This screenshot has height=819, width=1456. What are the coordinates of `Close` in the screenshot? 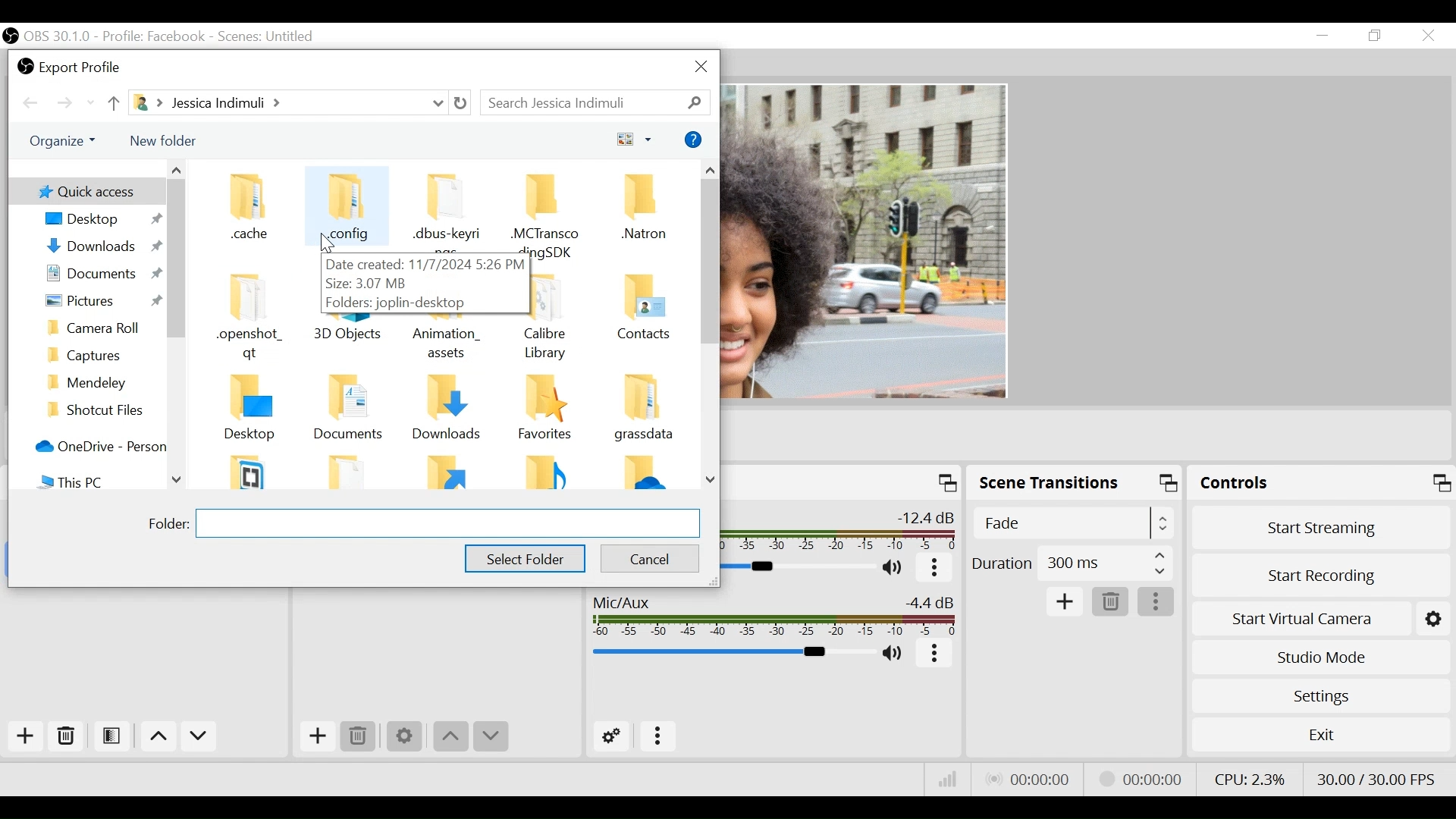 It's located at (1428, 35).